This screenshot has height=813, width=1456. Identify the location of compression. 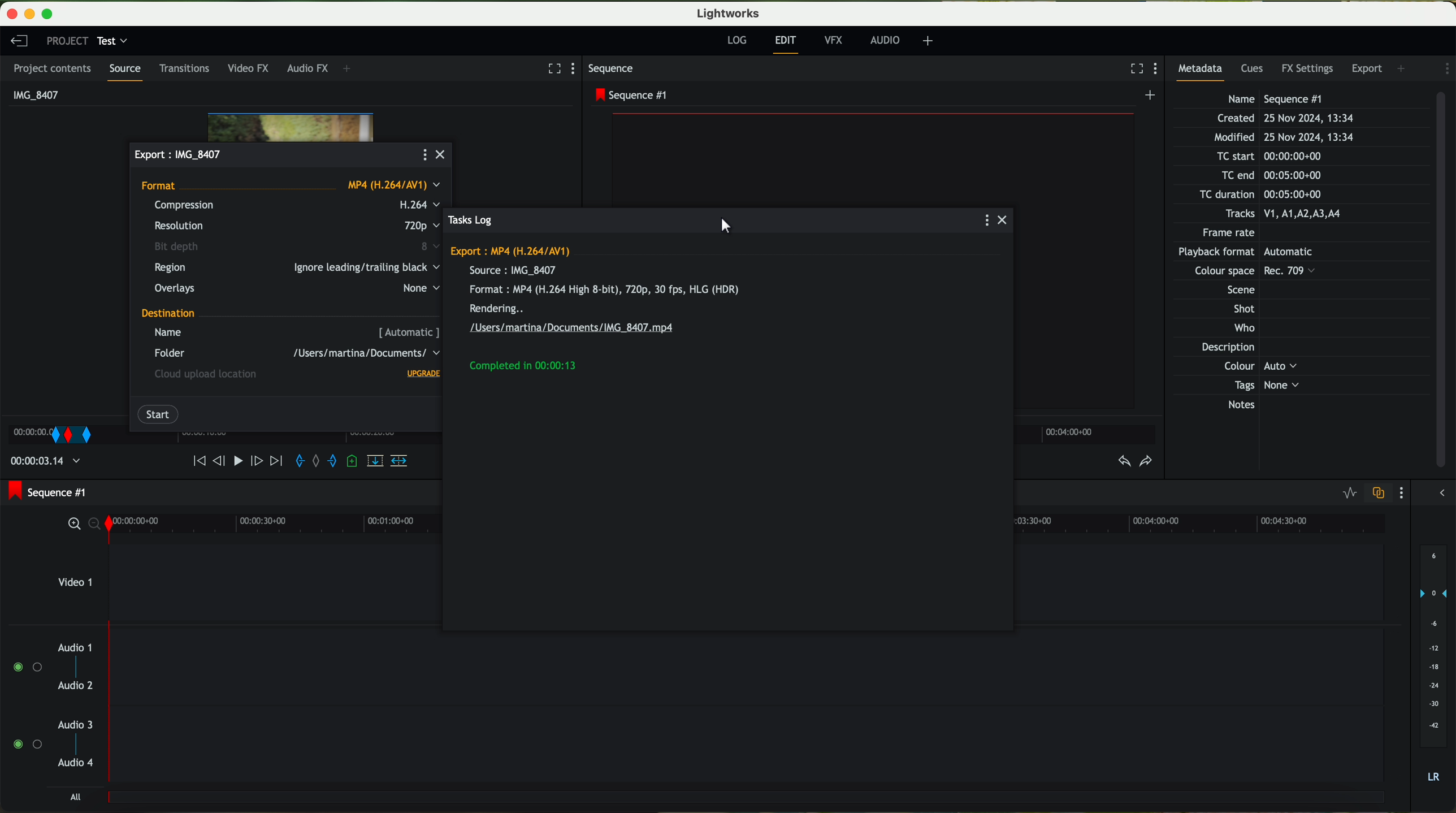
(296, 206).